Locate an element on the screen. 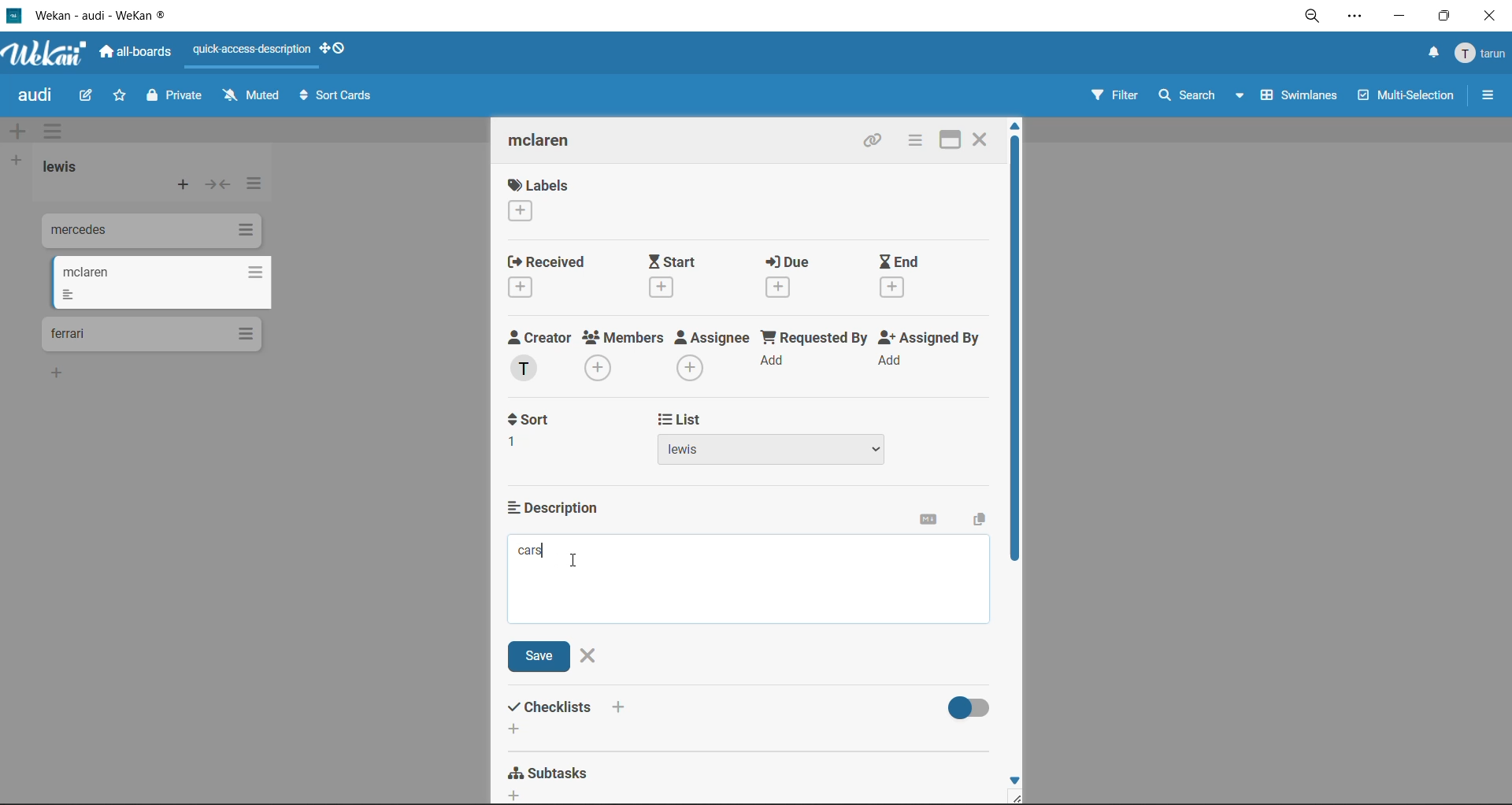  sort is located at coordinates (539, 431).